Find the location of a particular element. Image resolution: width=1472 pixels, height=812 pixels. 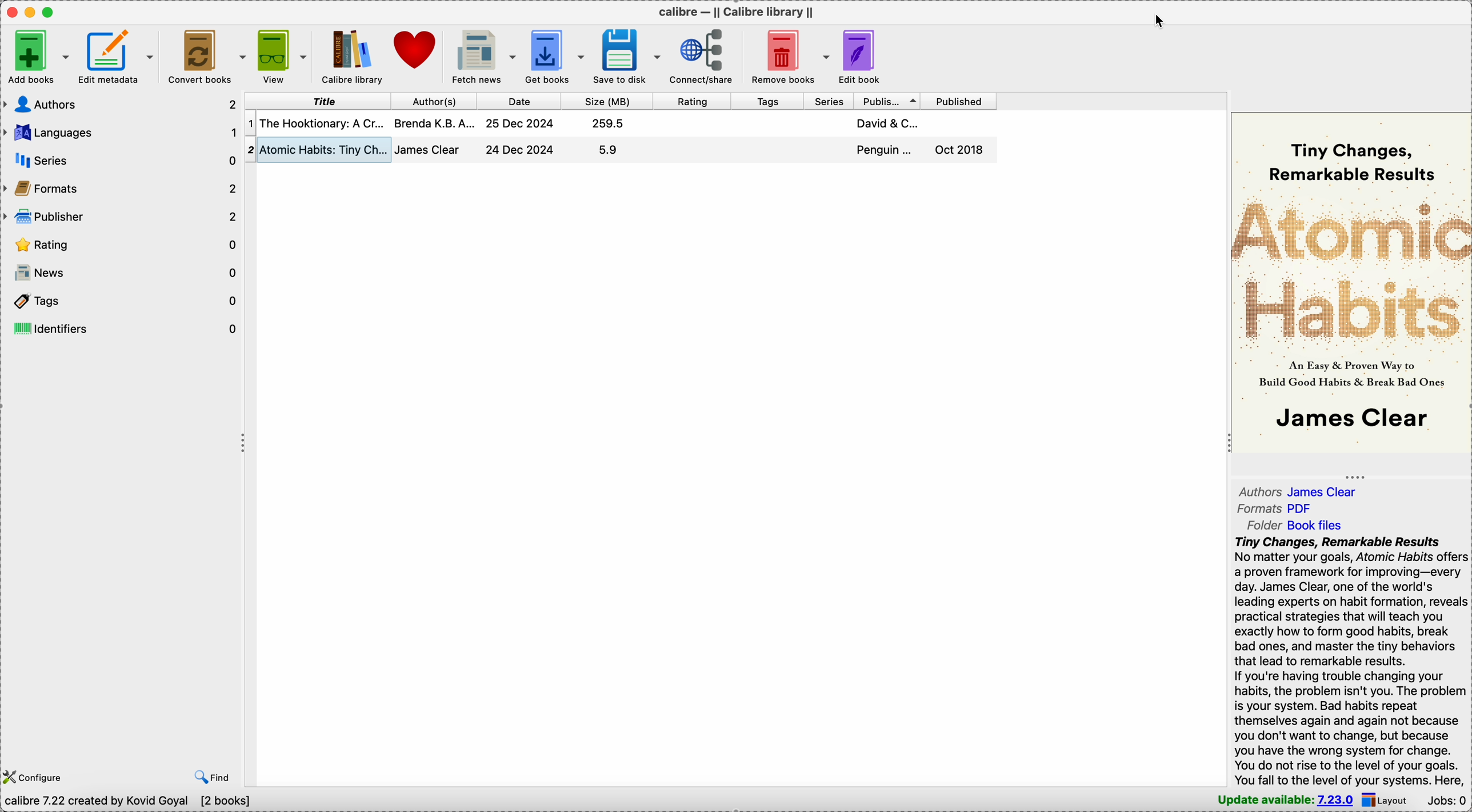

tags is located at coordinates (771, 101).